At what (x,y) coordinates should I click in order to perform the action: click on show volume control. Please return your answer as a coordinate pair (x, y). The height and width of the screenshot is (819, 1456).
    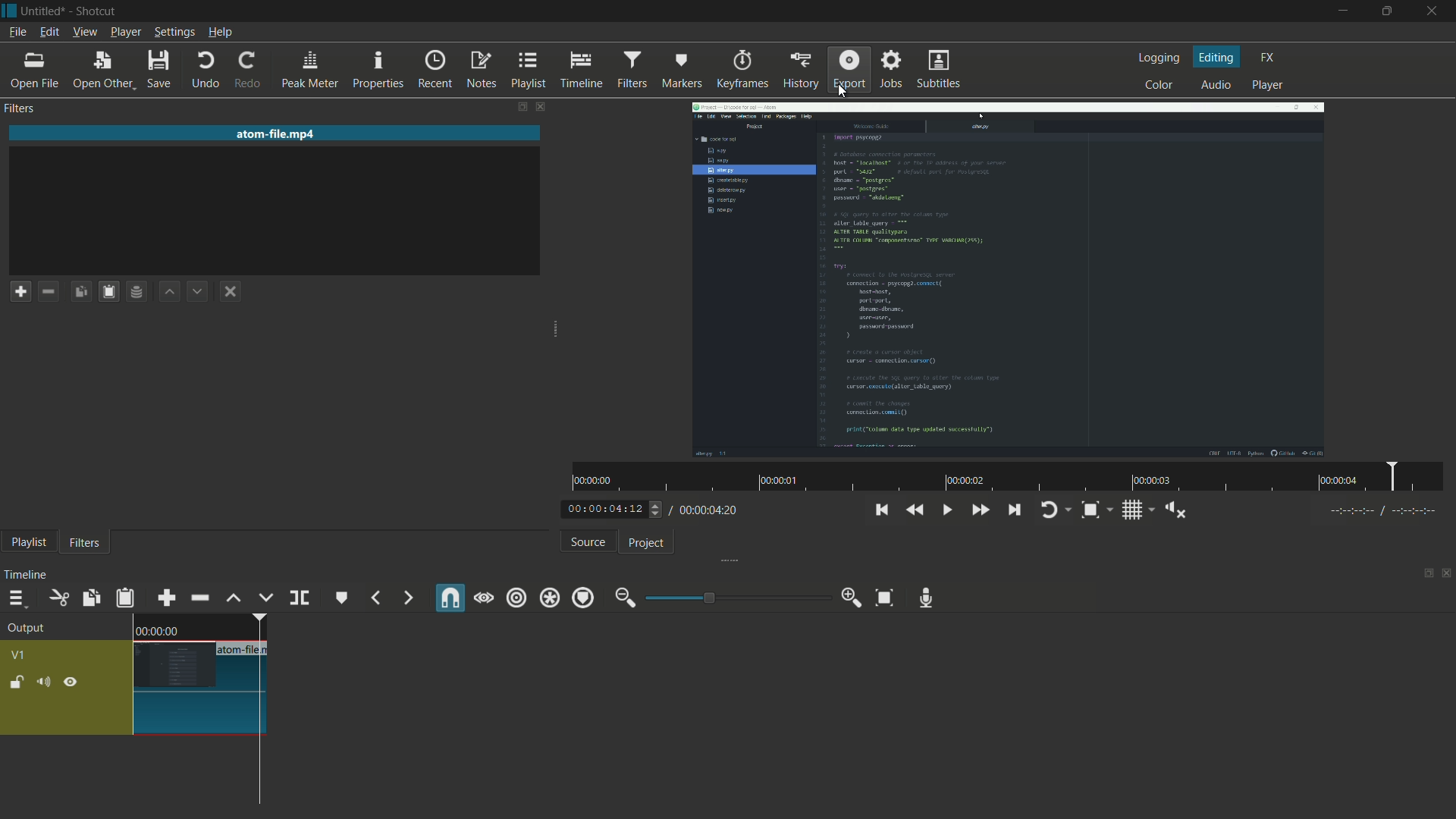
    Looking at the image, I should click on (1175, 511).